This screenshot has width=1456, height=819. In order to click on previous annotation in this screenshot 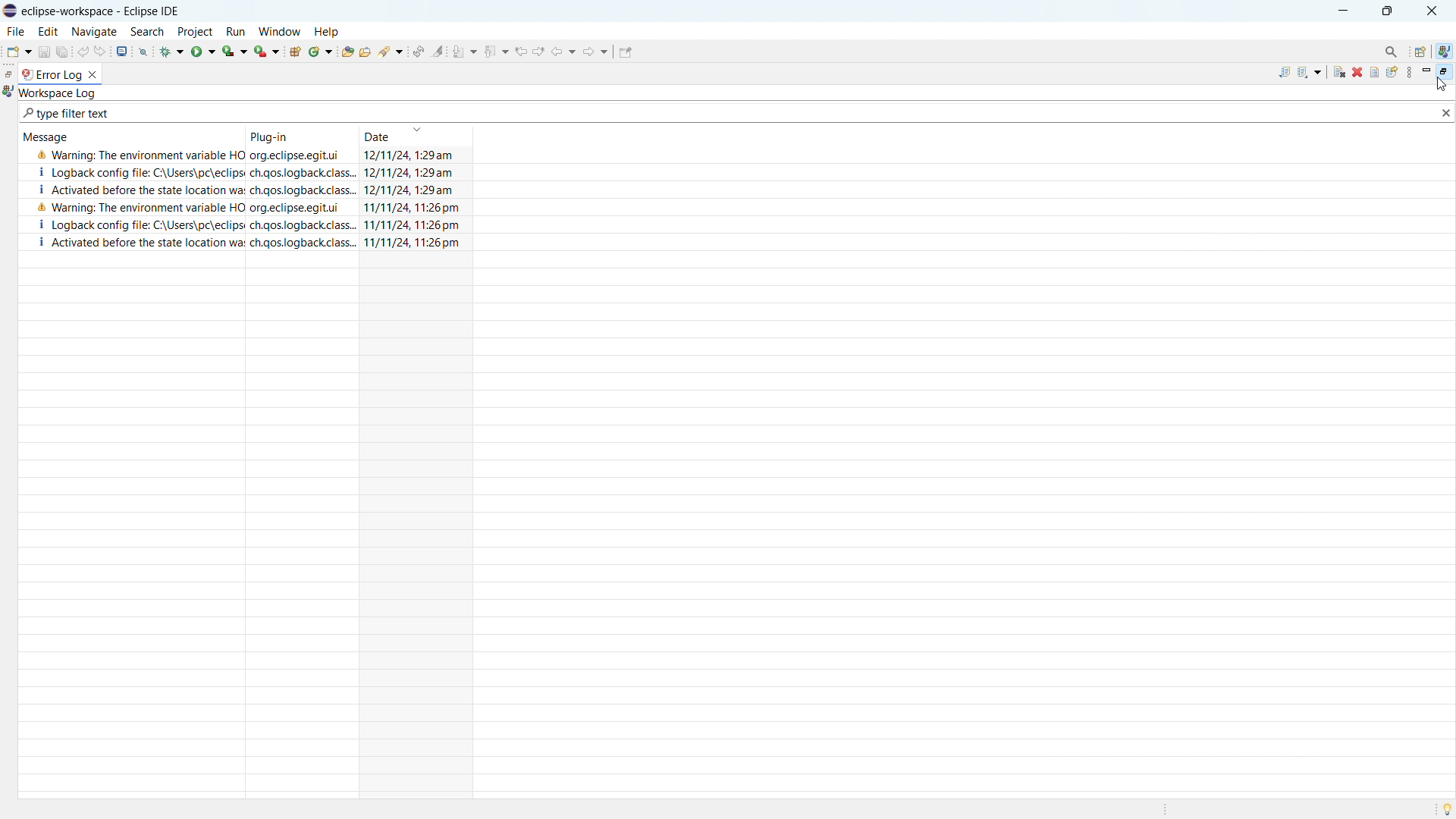, I will do `click(496, 50)`.